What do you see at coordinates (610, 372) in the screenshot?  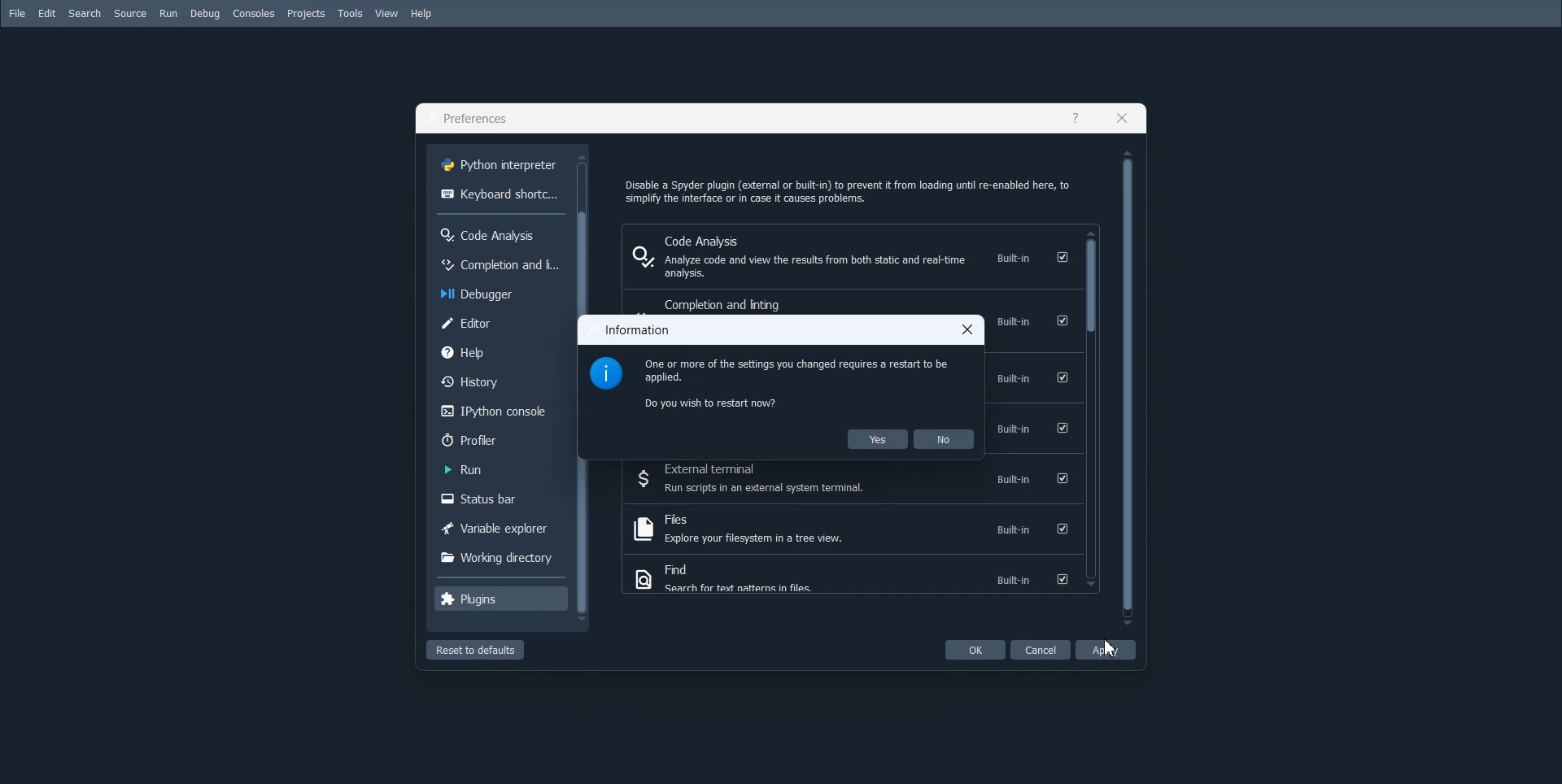 I see `Logo` at bounding box center [610, 372].